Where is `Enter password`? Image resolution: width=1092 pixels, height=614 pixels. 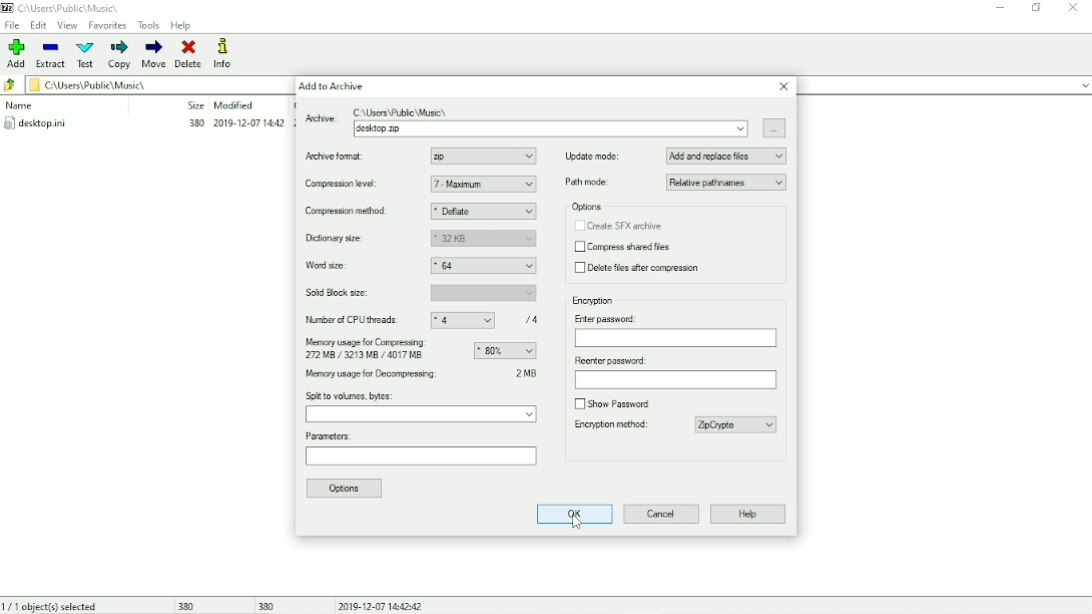 Enter password is located at coordinates (674, 330).